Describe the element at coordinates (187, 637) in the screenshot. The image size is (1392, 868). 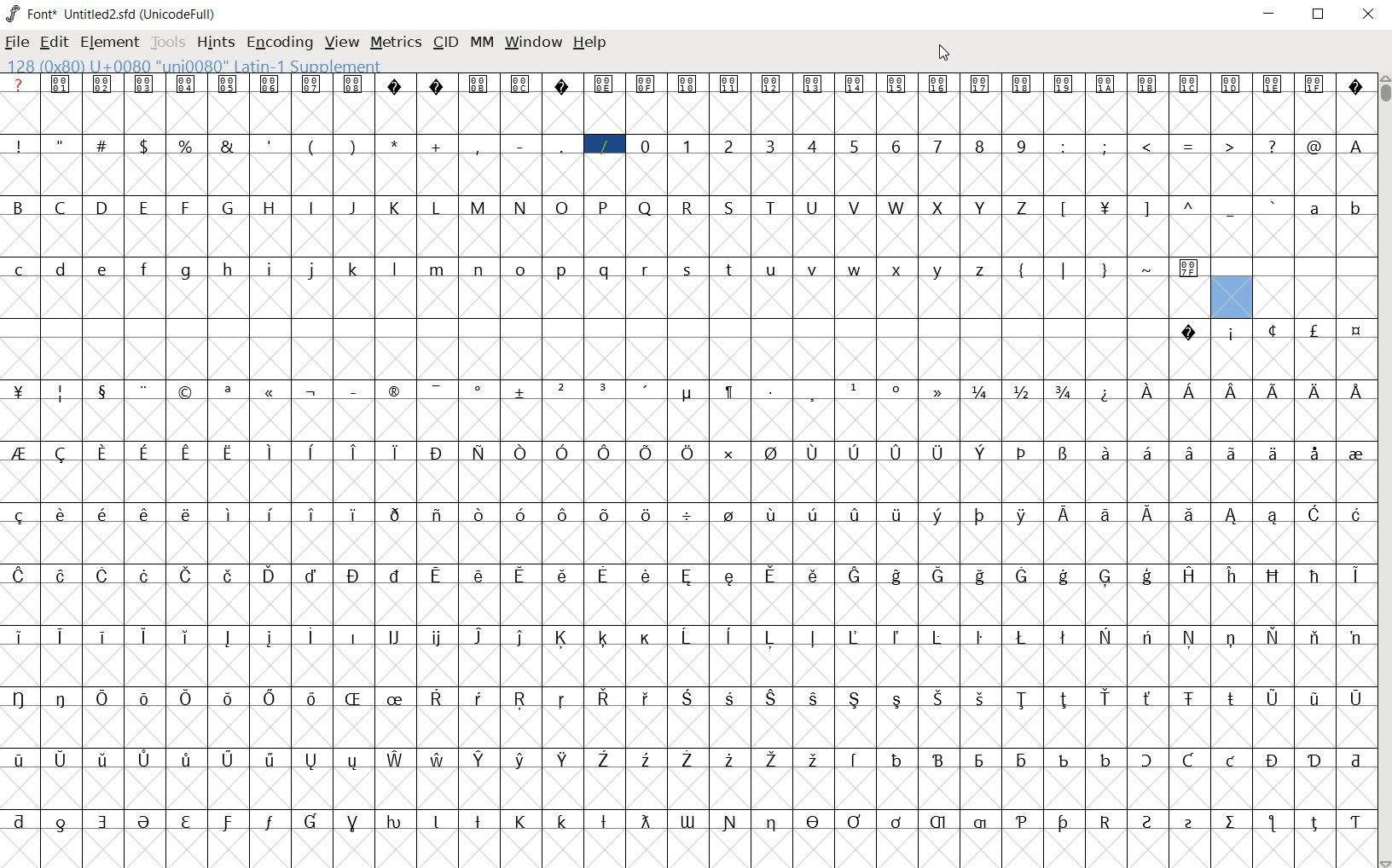
I see `glyph` at that location.